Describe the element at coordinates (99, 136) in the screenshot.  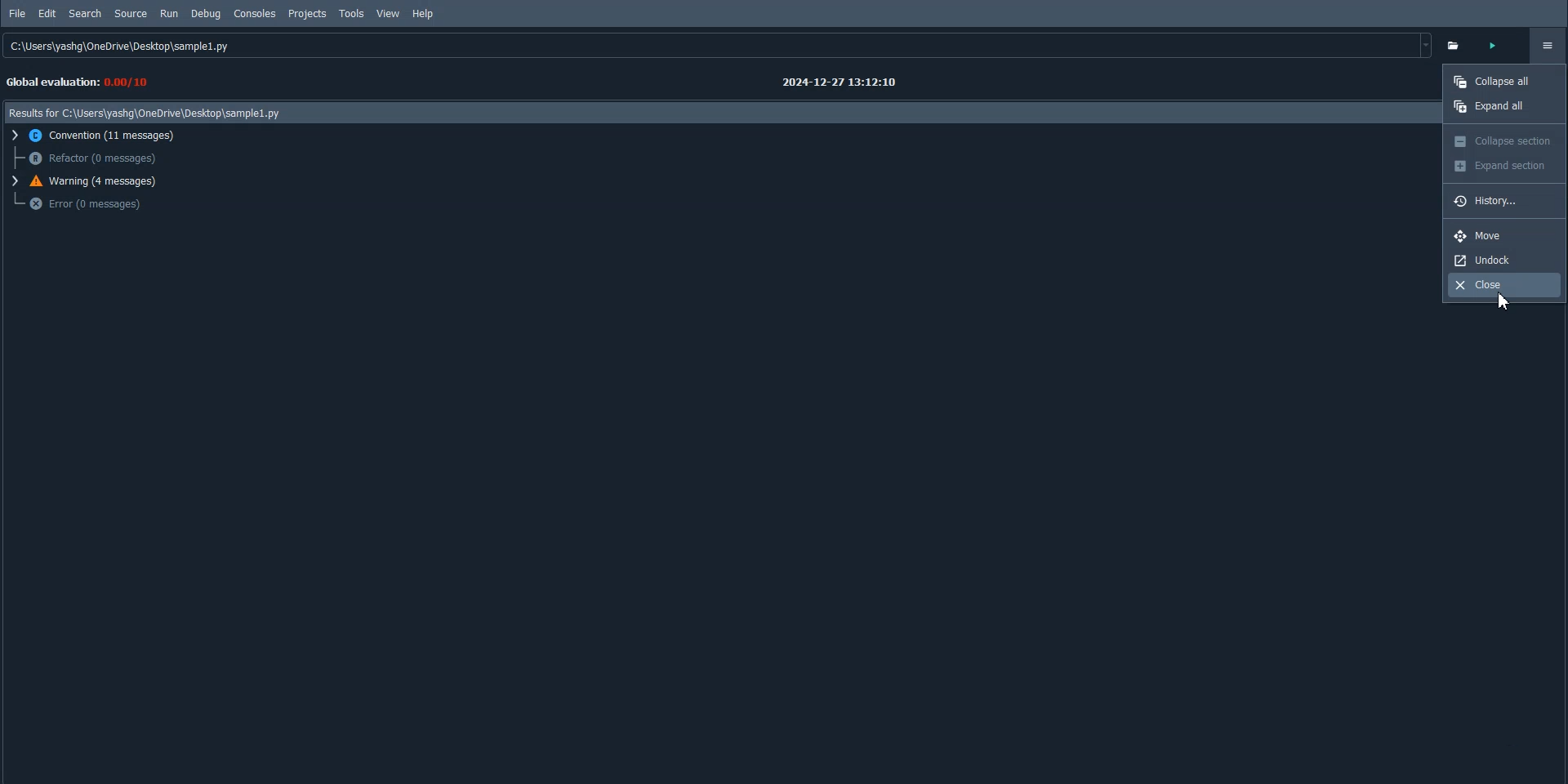
I see `Conventions` at that location.